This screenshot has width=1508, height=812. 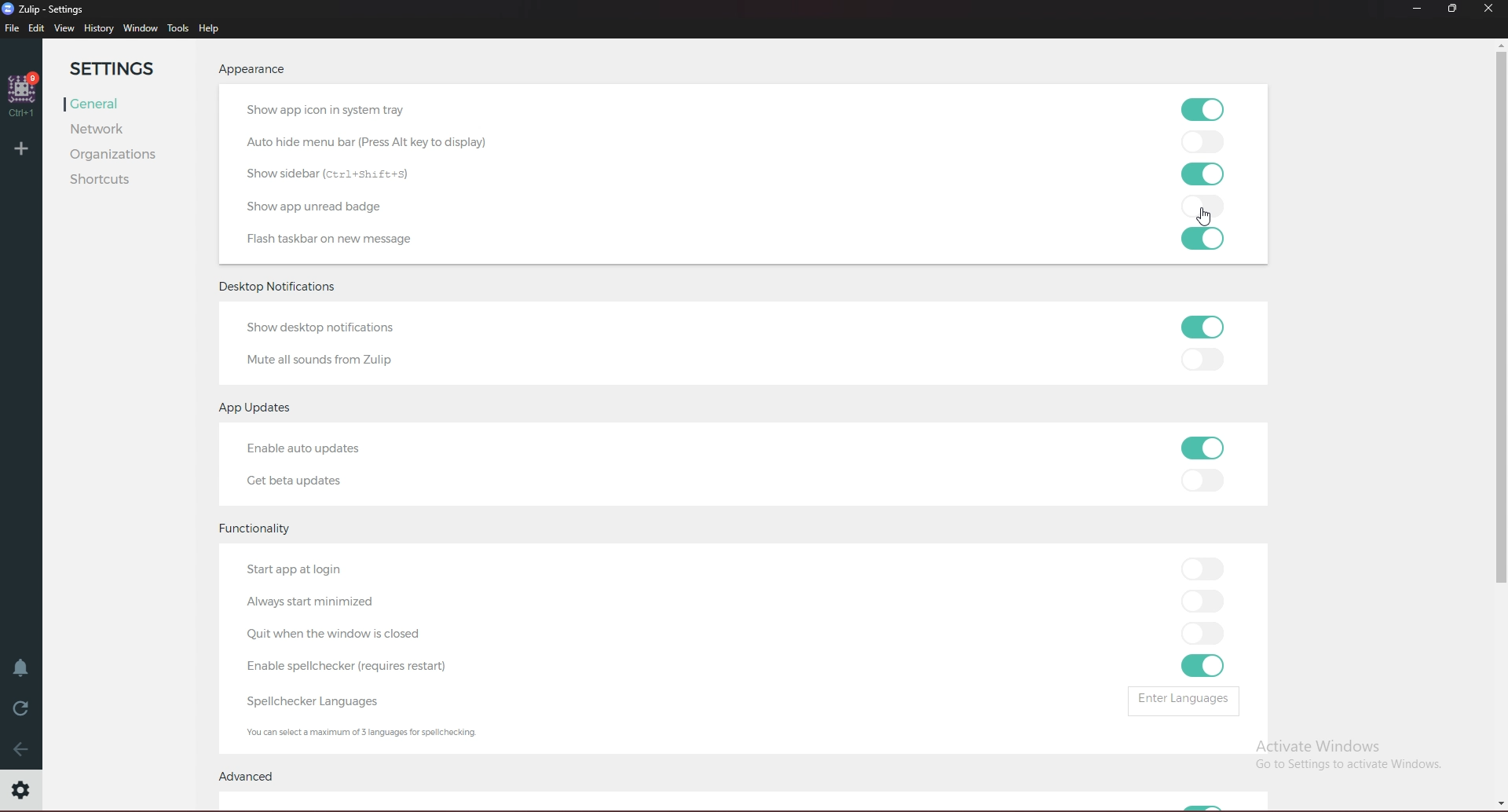 I want to click on enable Spell Checker, so click(x=357, y=668).